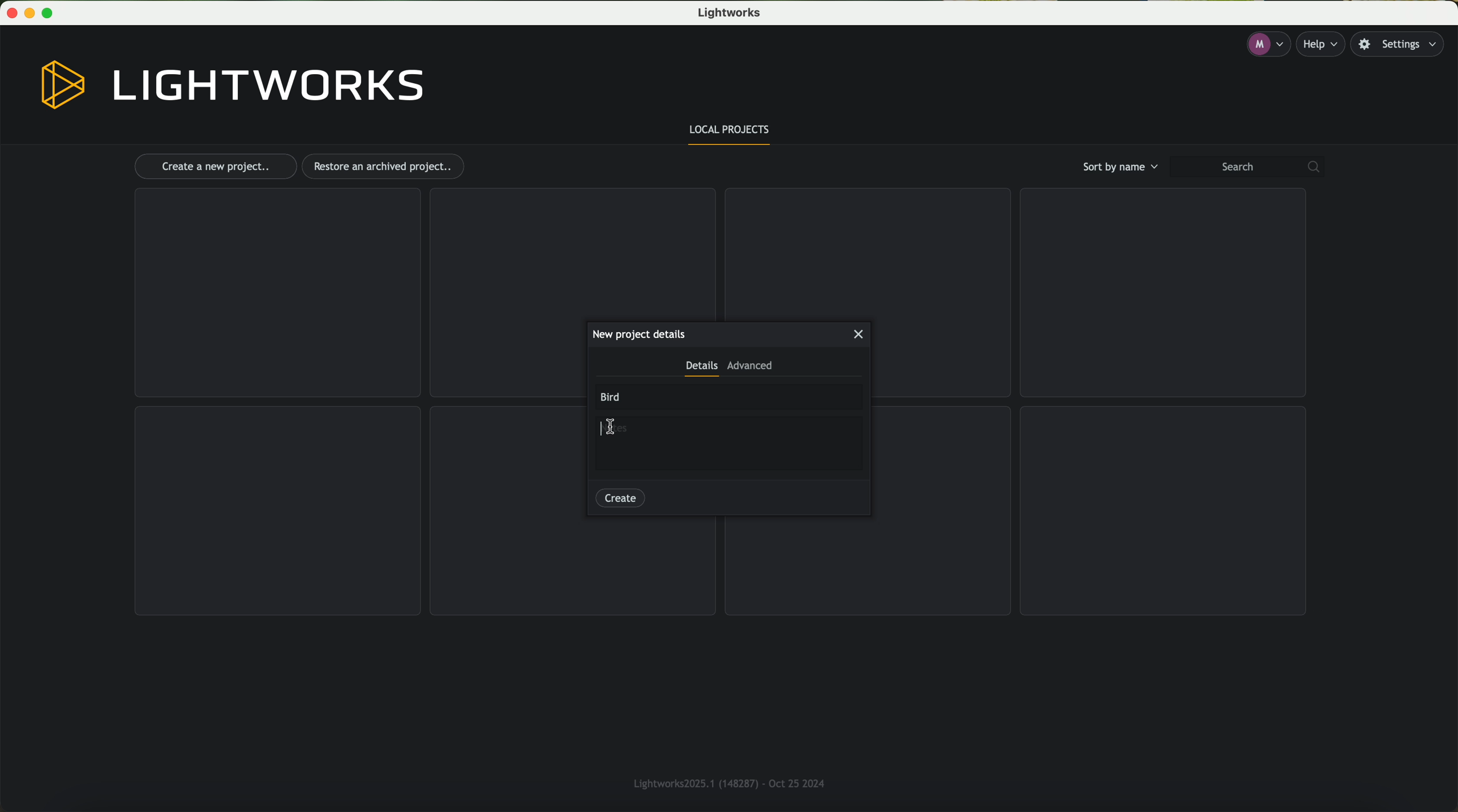 The image size is (1458, 812). What do you see at coordinates (613, 425) in the screenshot?
I see `typing` at bounding box center [613, 425].